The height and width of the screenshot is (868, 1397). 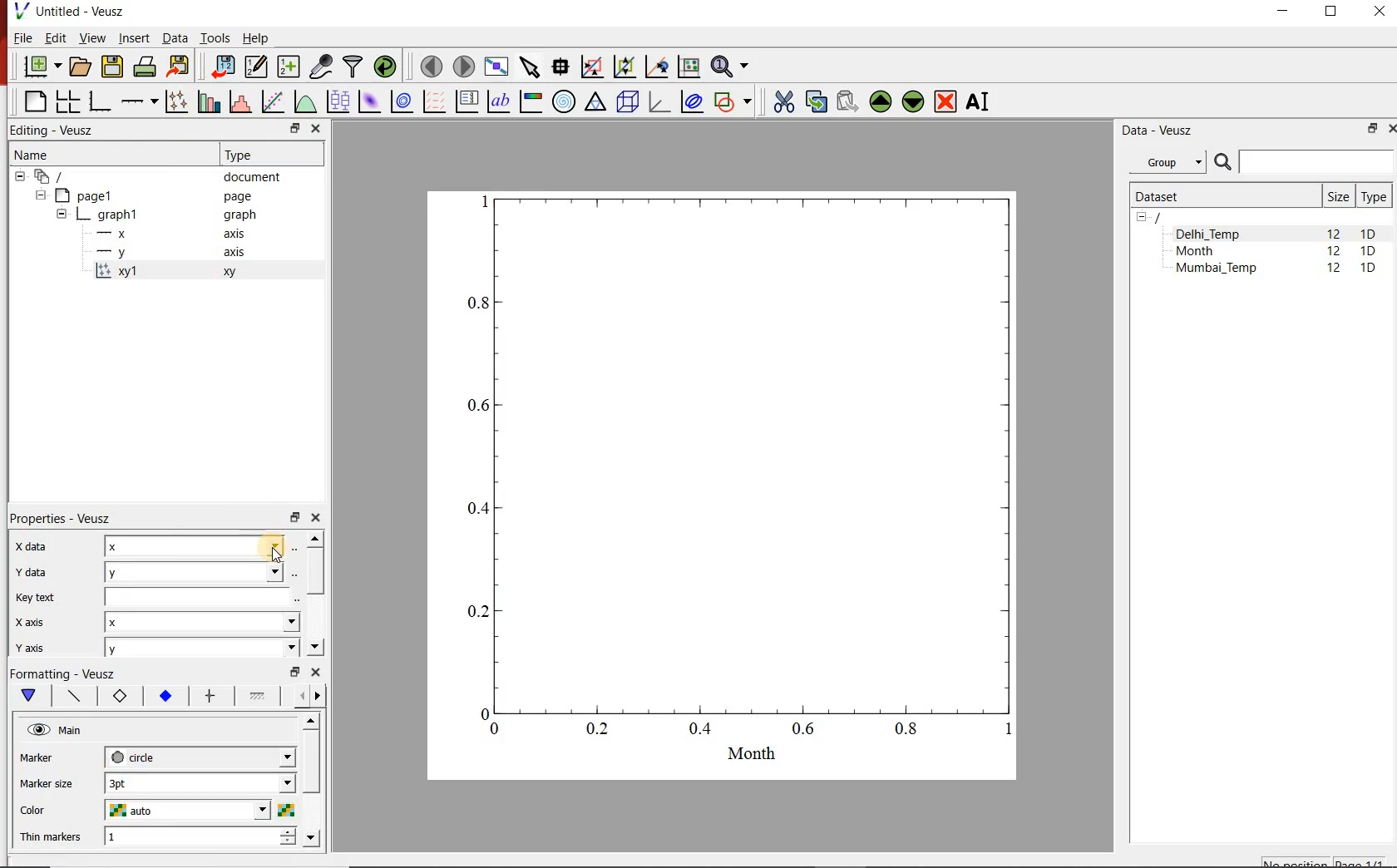 What do you see at coordinates (62, 129) in the screenshot?
I see `Editing - Veusz` at bounding box center [62, 129].